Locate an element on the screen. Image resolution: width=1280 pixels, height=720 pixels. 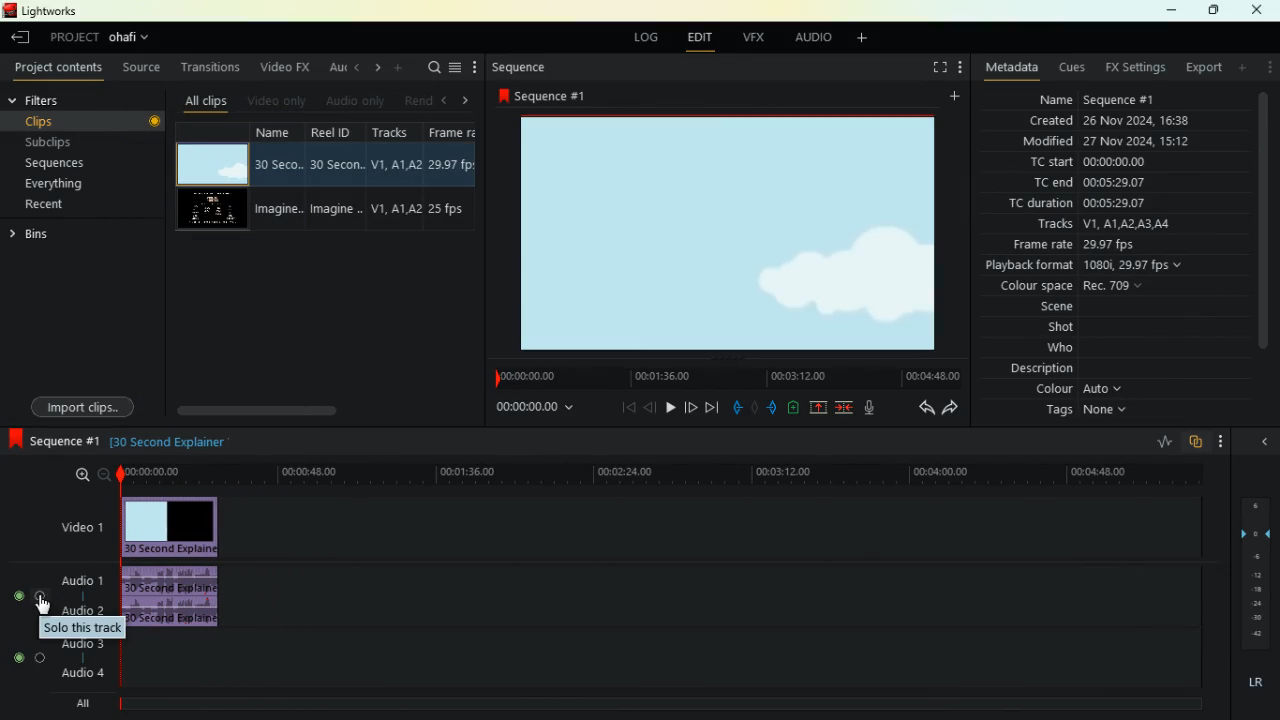
pull is located at coordinates (736, 409).